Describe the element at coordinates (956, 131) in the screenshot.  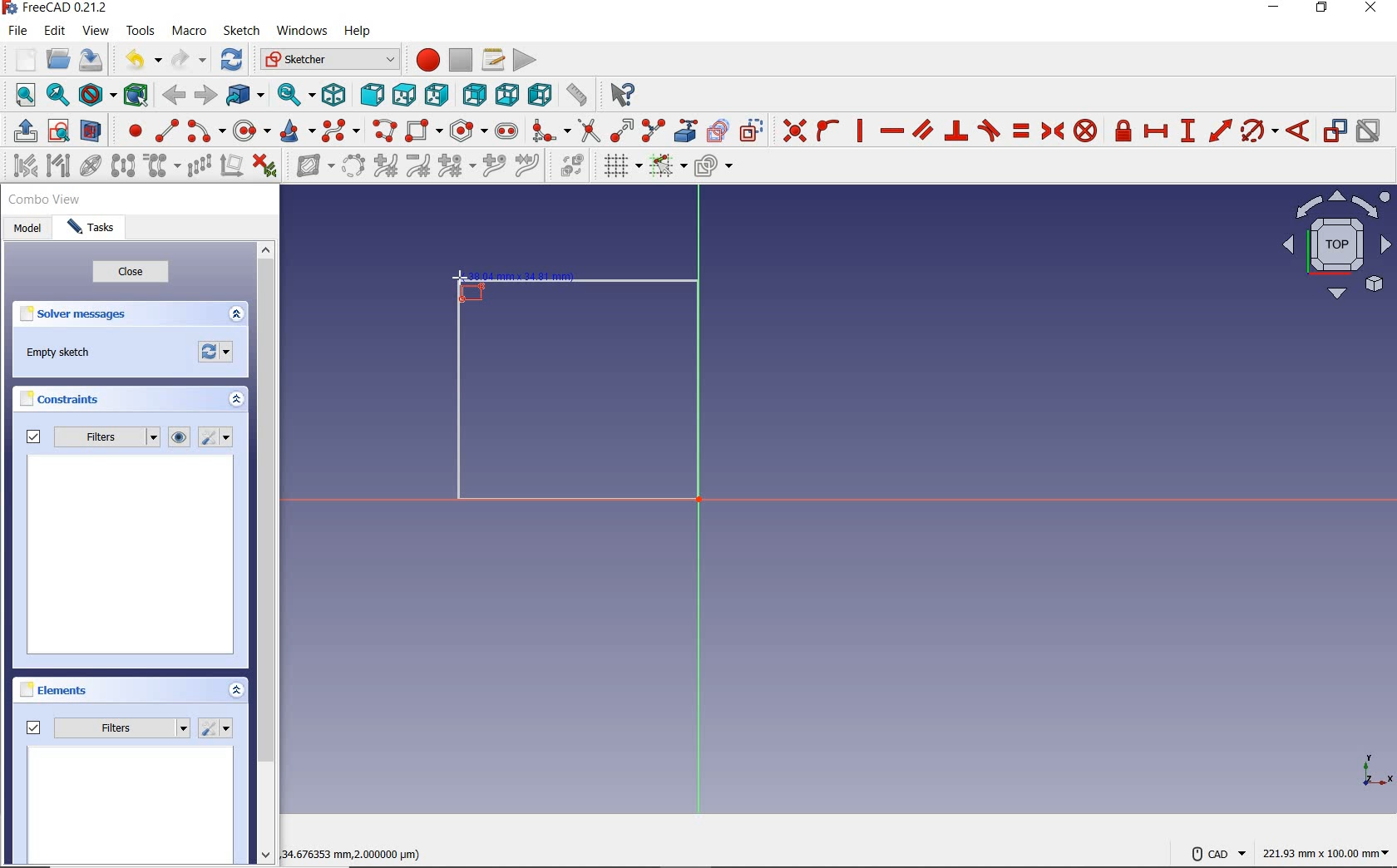
I see `constrain perpendicular` at that location.